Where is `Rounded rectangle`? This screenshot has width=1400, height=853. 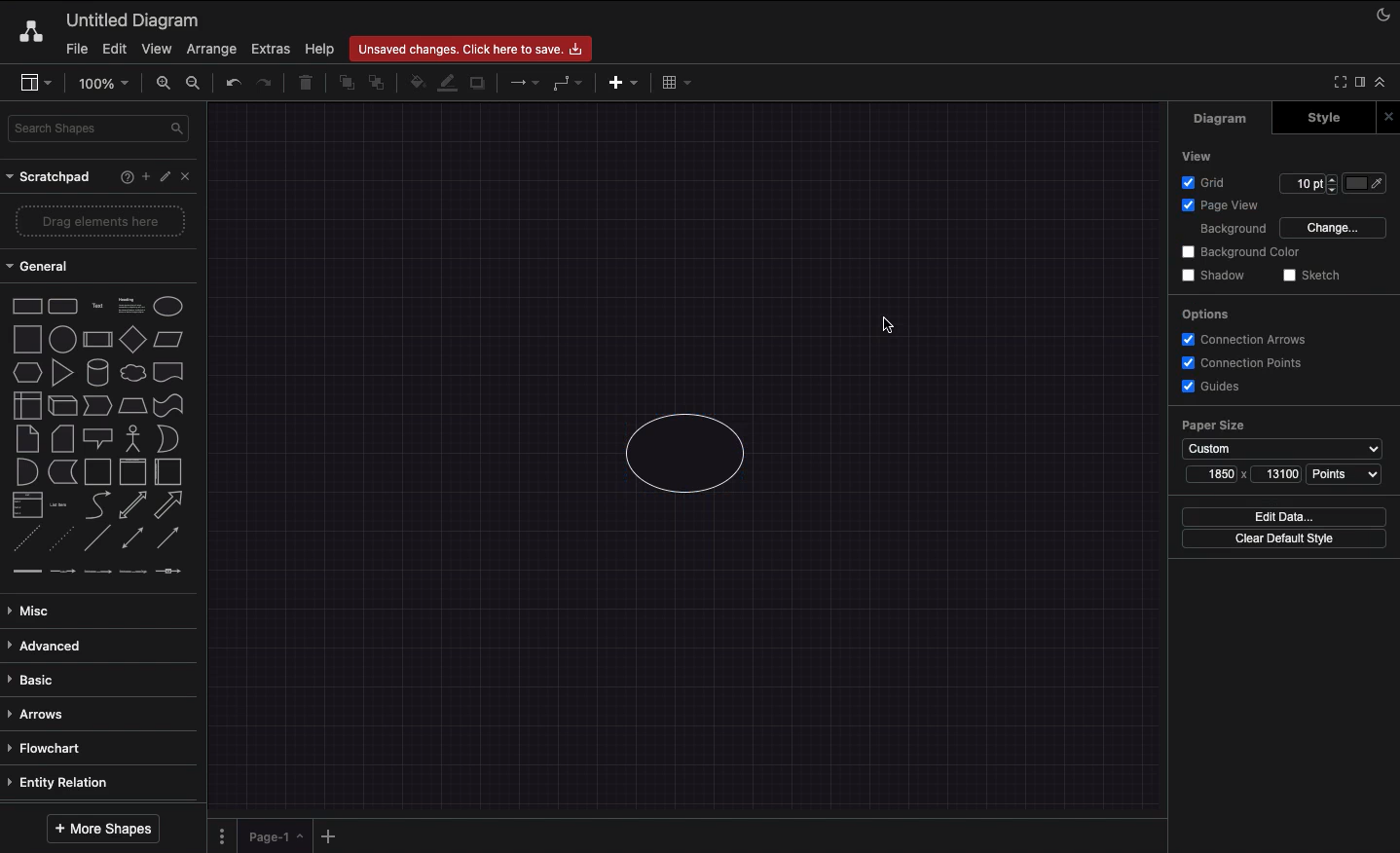
Rounded rectangle is located at coordinates (63, 305).